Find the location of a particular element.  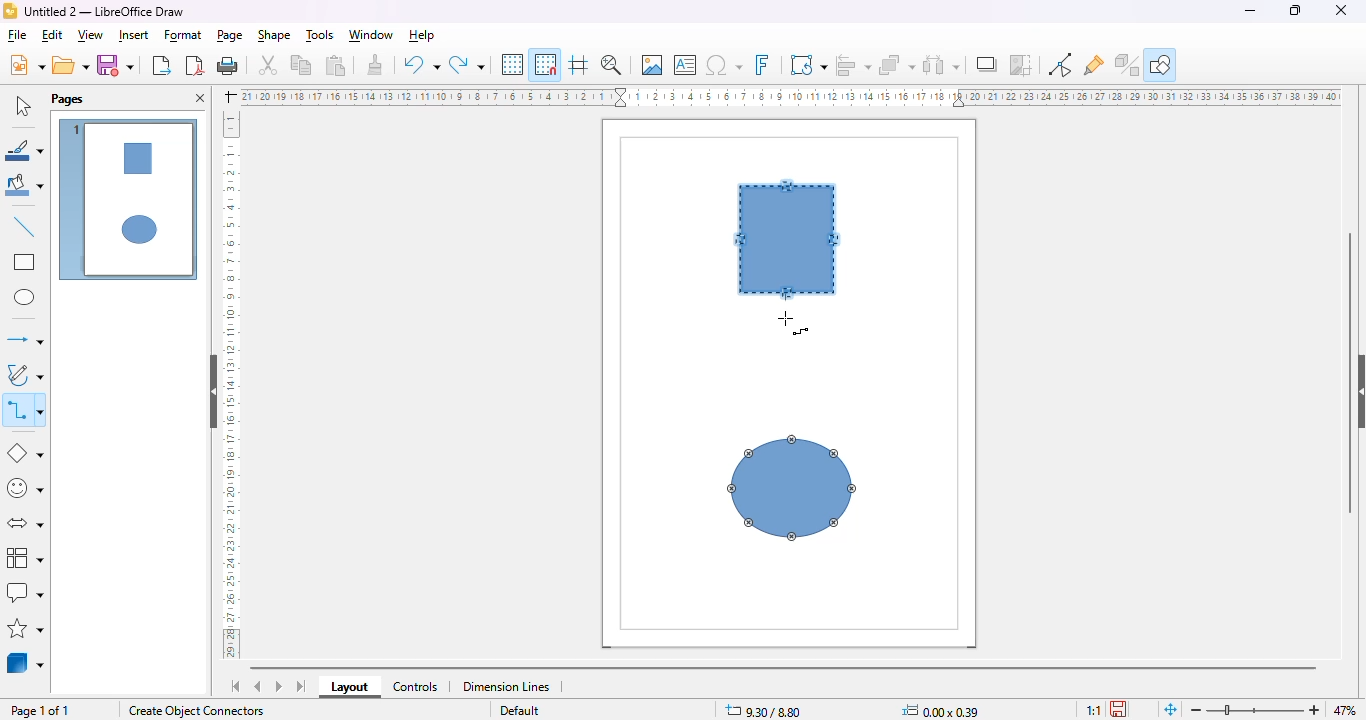

copy is located at coordinates (301, 65).